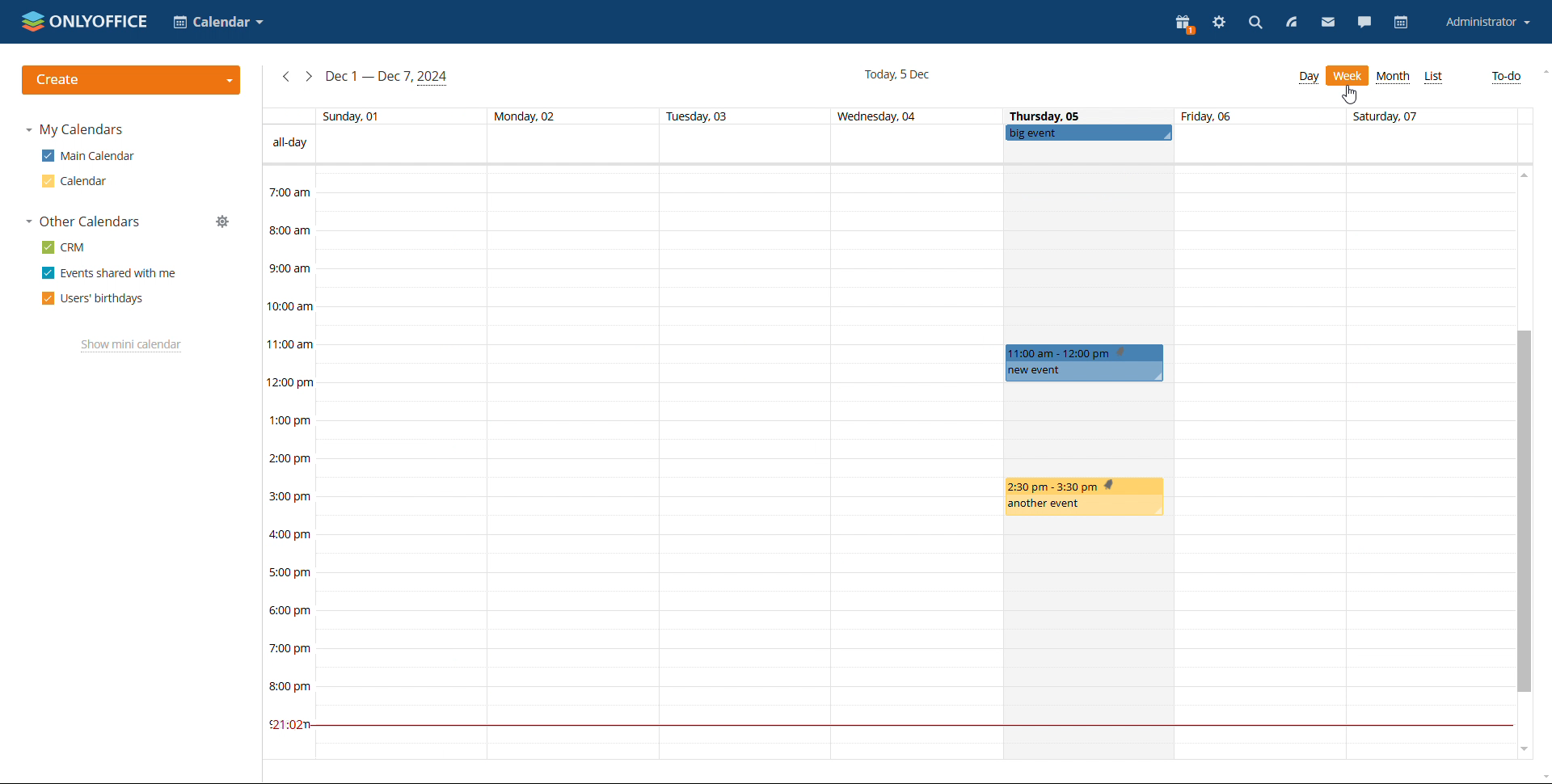 This screenshot has width=1552, height=784. Describe the element at coordinates (1507, 78) in the screenshot. I see `to-do` at that location.